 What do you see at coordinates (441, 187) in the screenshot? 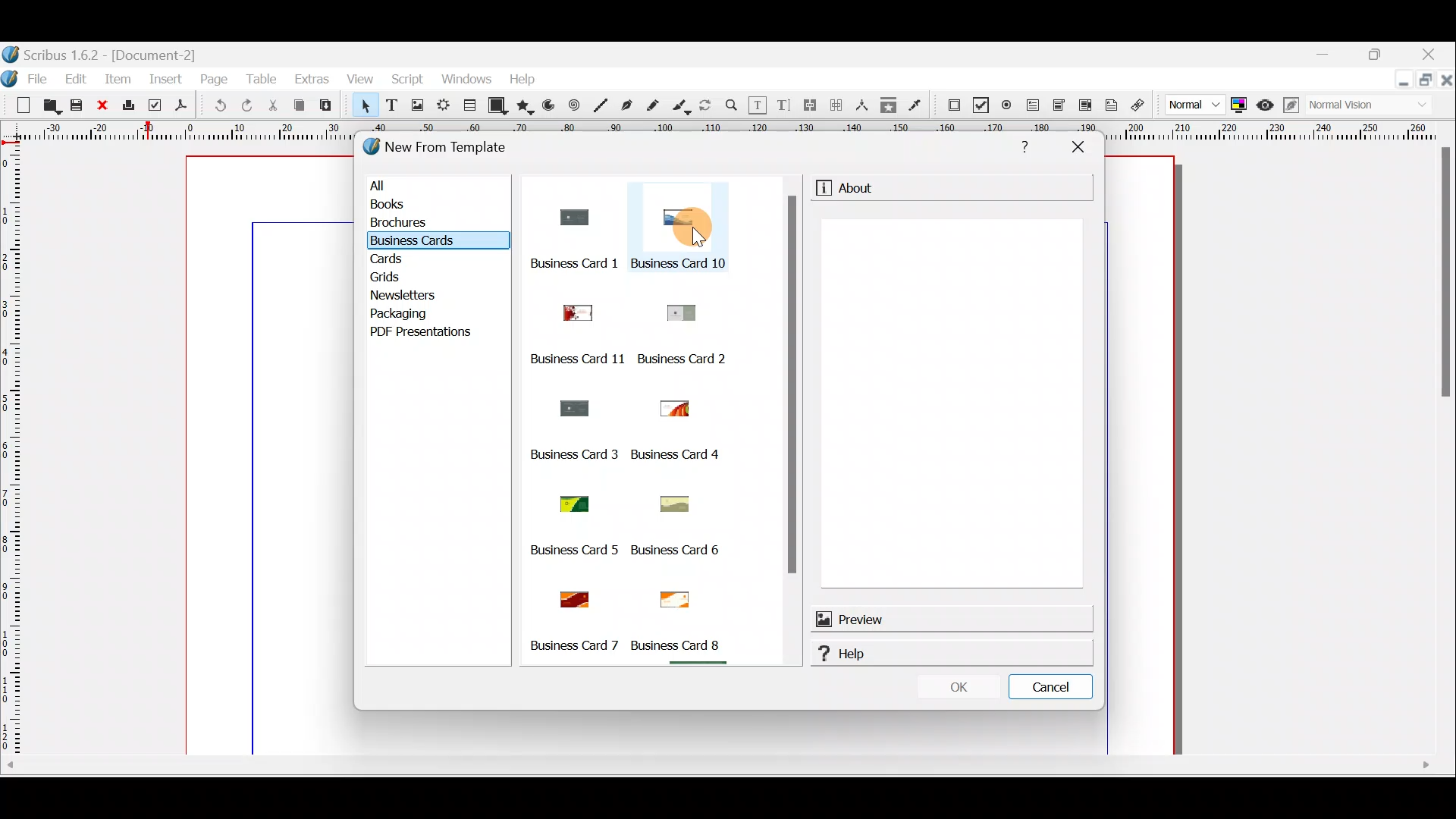
I see `All` at bounding box center [441, 187].